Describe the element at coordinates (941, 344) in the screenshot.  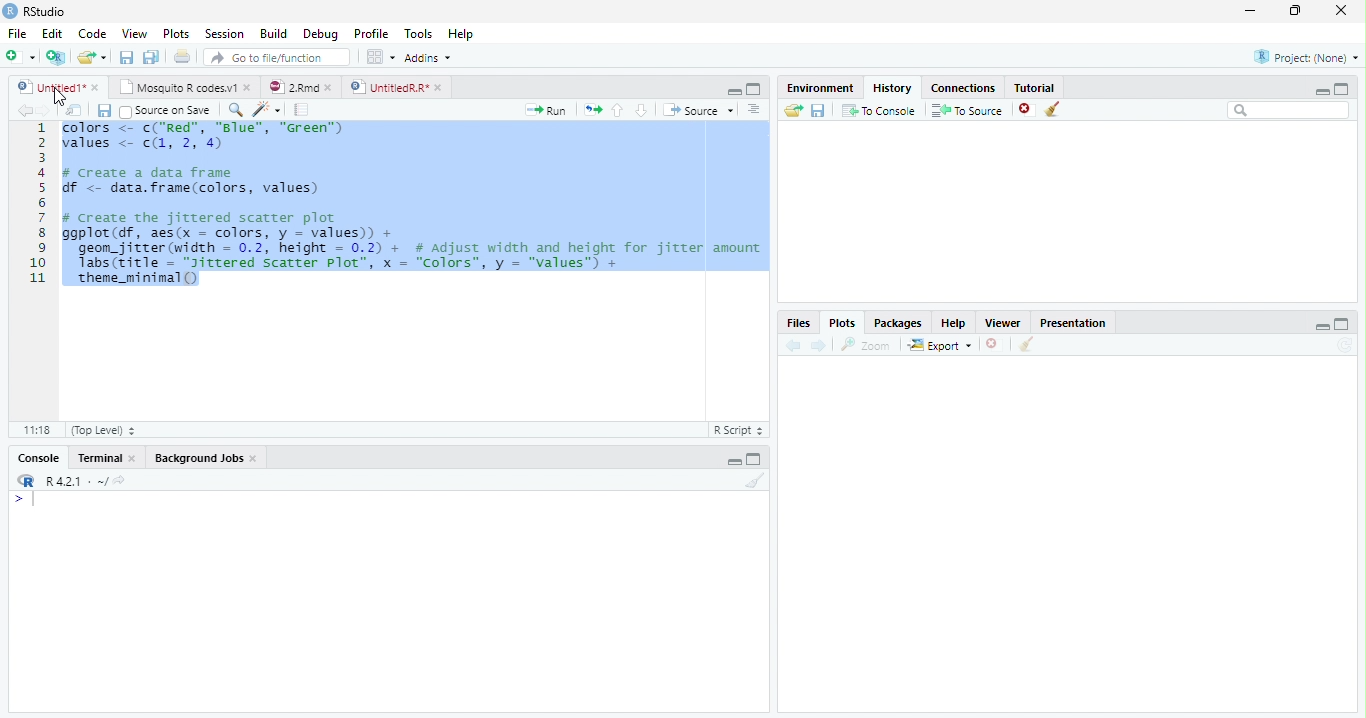
I see `Export` at that location.